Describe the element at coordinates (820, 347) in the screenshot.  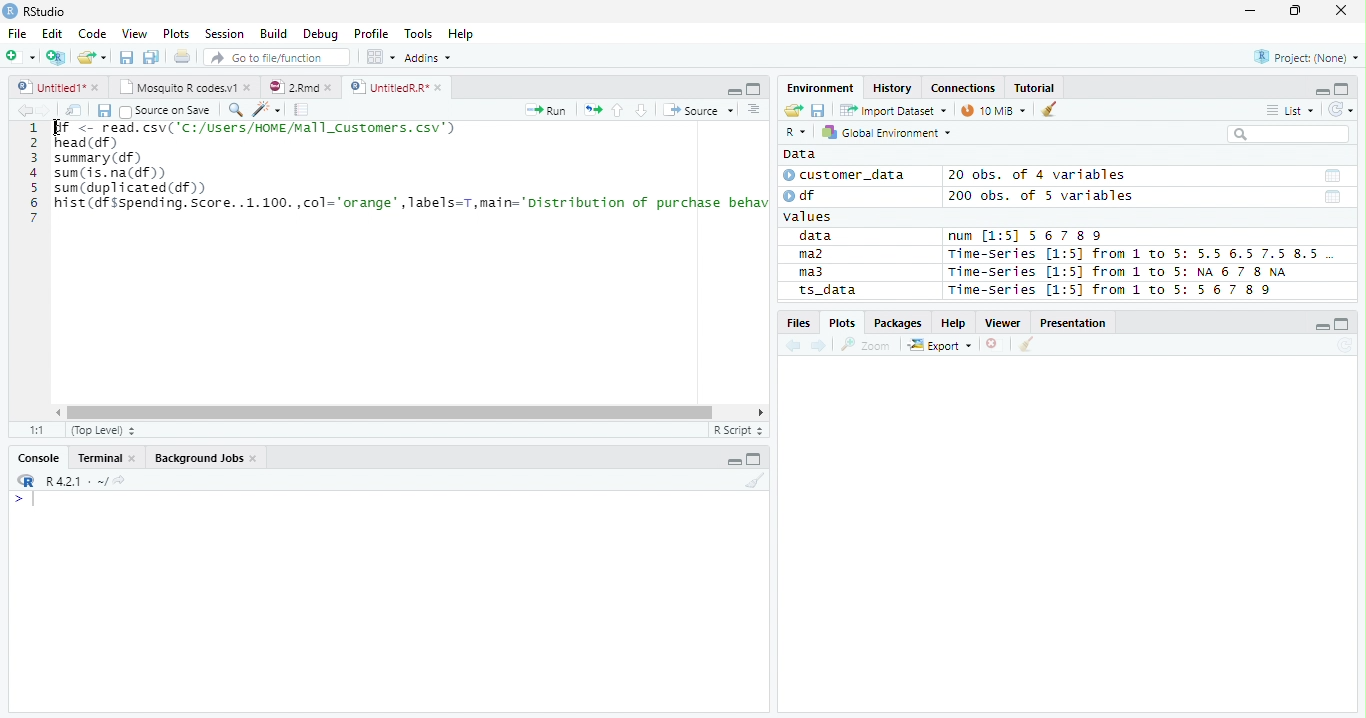
I see `Next` at that location.